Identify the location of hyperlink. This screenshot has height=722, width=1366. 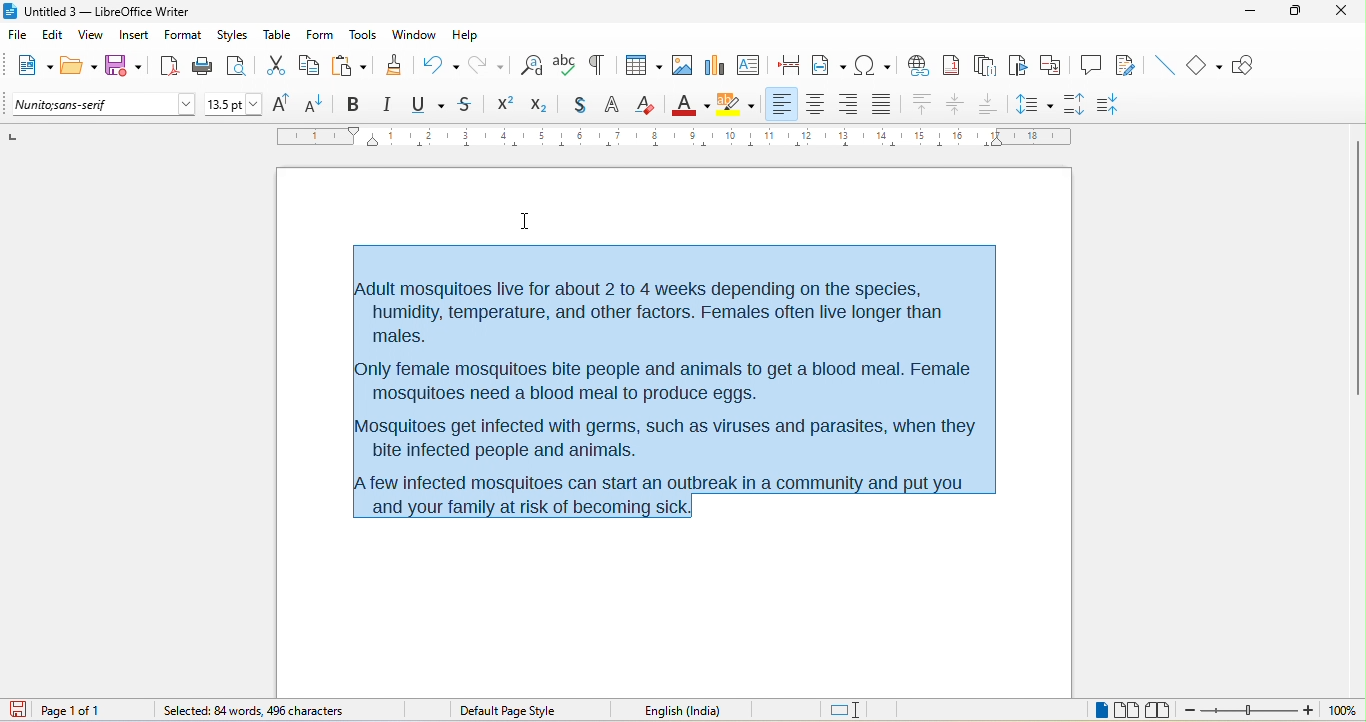
(917, 63).